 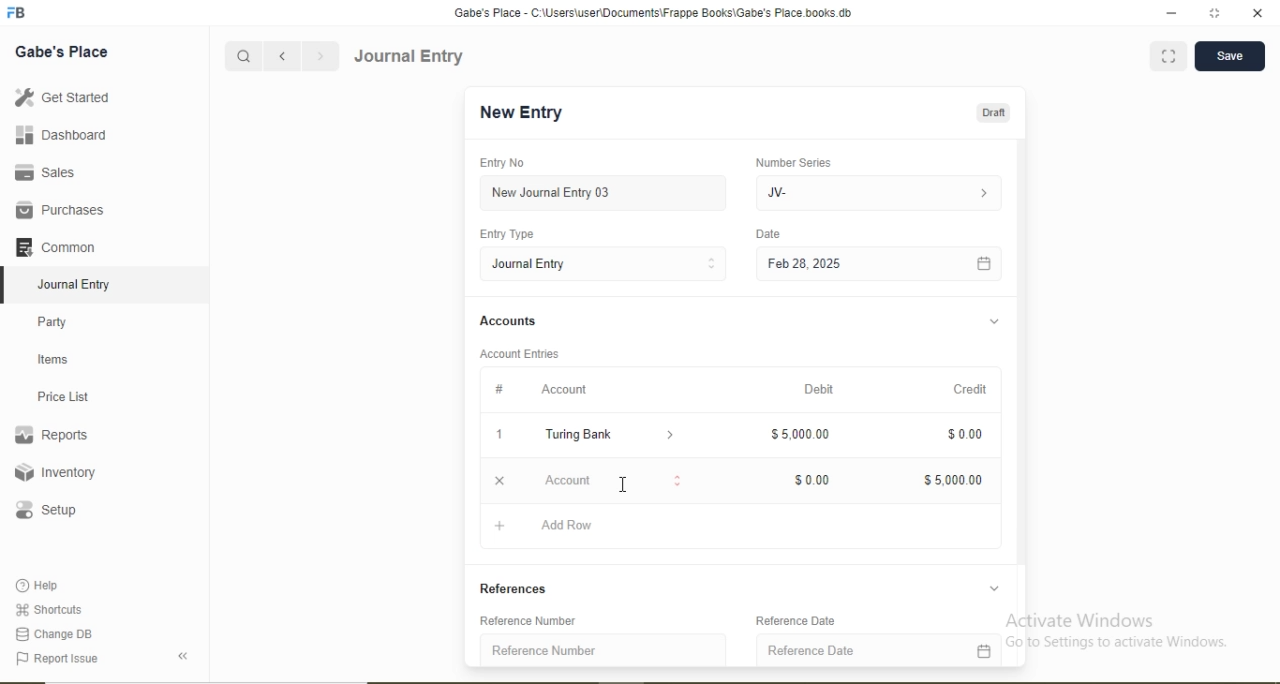 I want to click on Price List, so click(x=62, y=397).